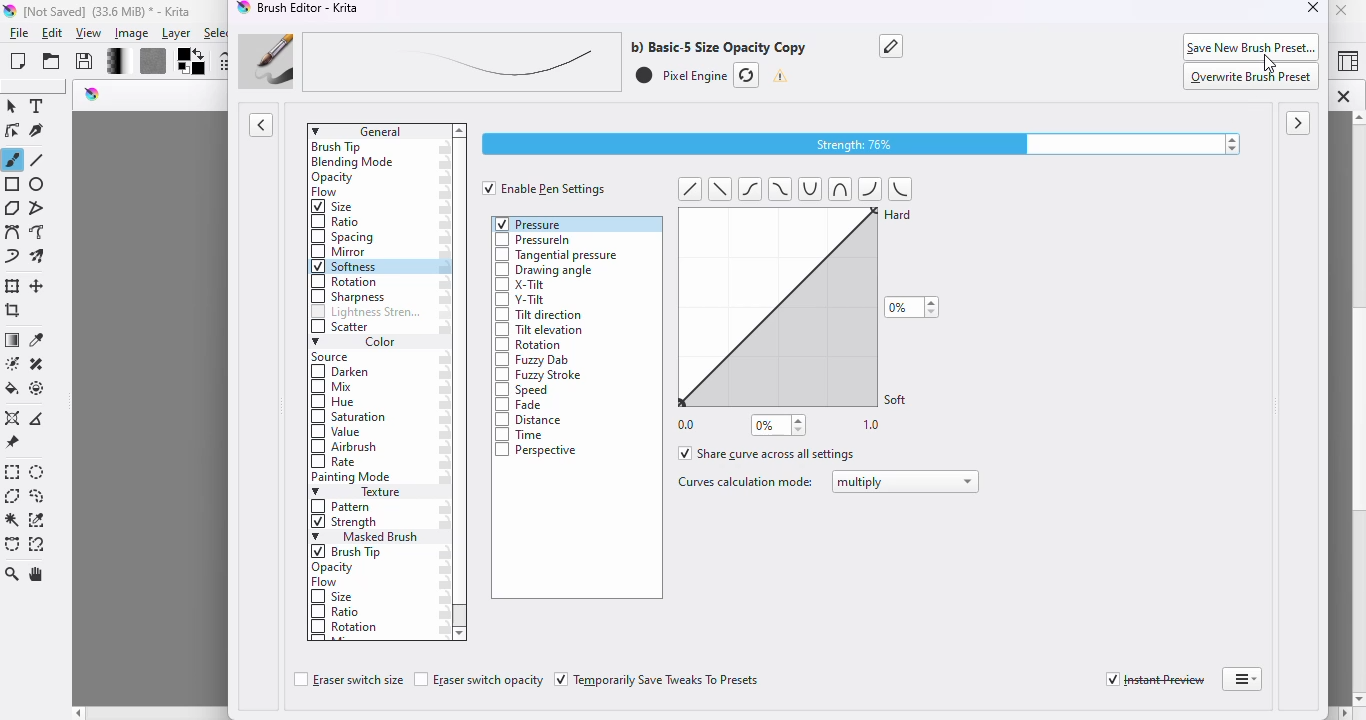 This screenshot has width=1366, height=720. Describe the element at coordinates (345, 524) in the screenshot. I see `strength` at that location.